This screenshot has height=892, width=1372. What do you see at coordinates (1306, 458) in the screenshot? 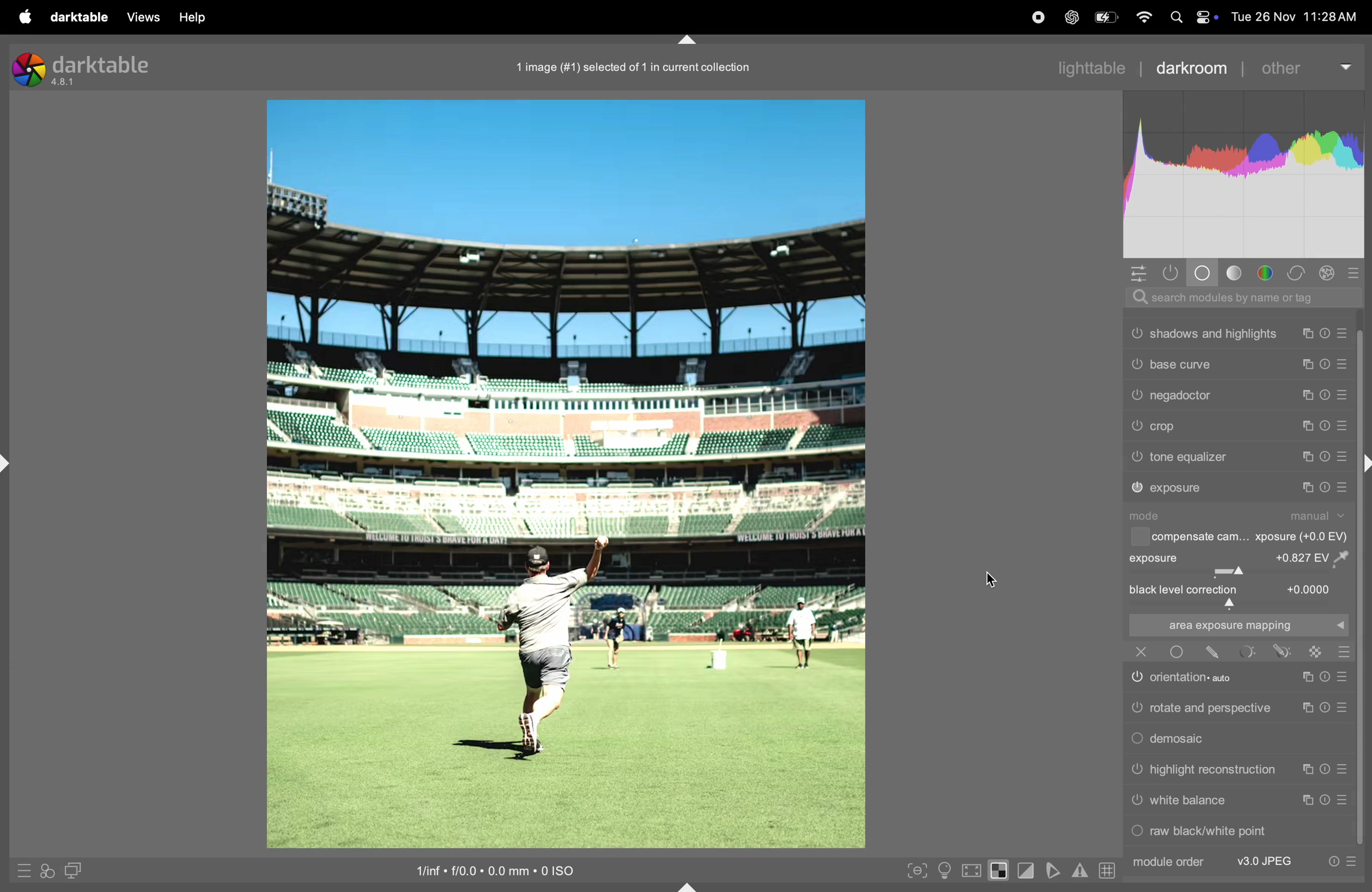
I see `copy` at bounding box center [1306, 458].